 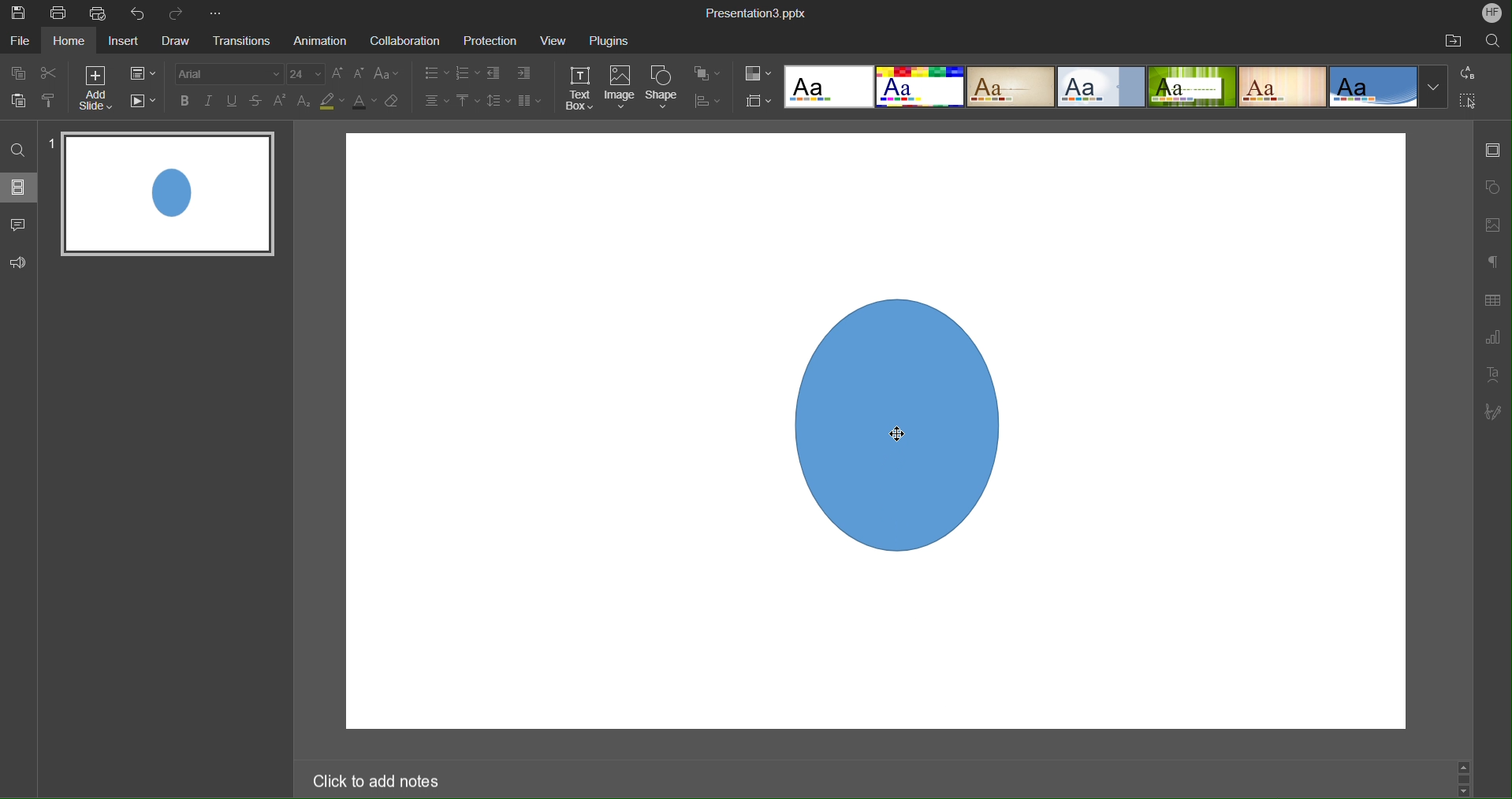 I want to click on Arial, so click(x=231, y=73).